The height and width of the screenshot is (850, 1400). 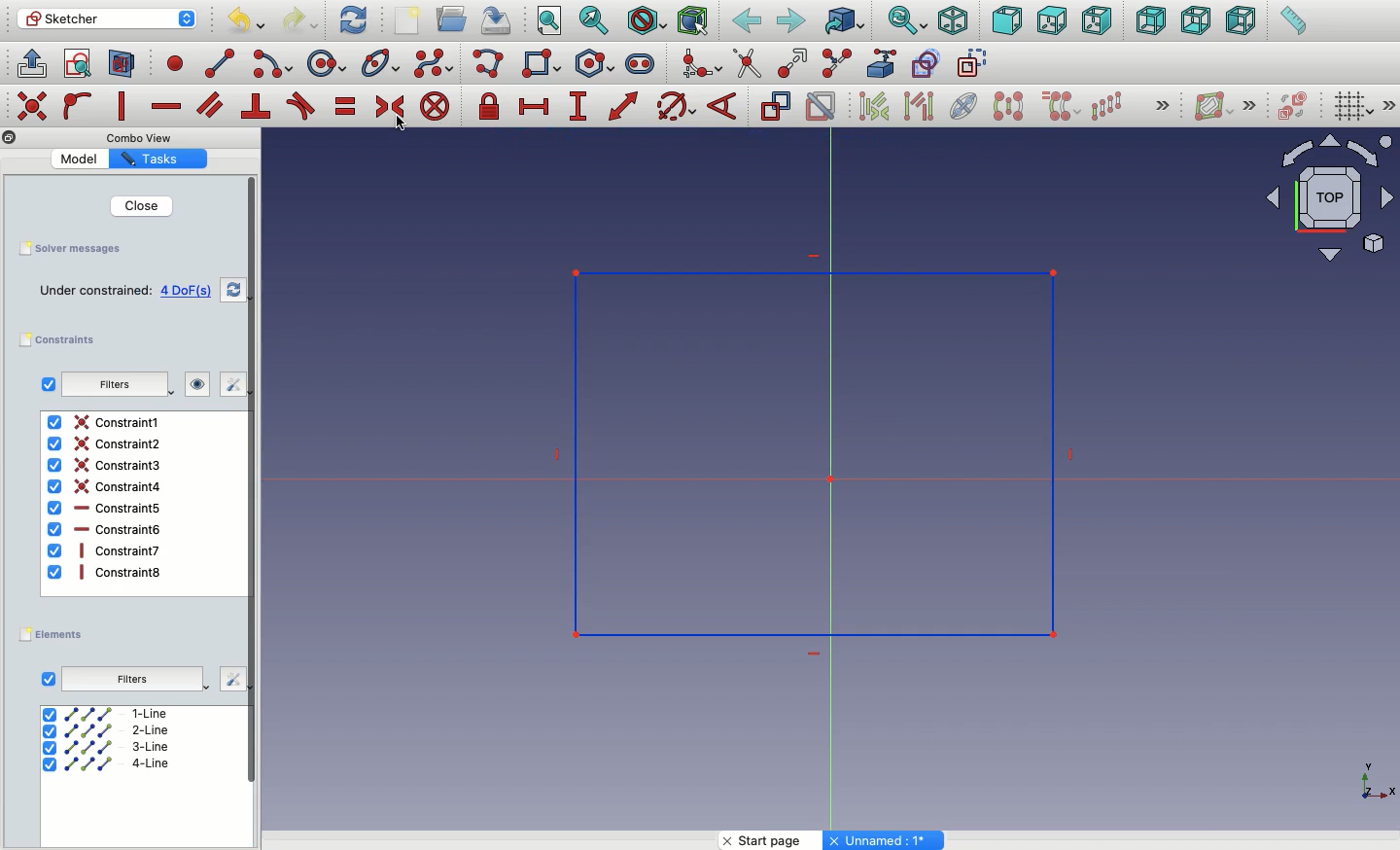 I want to click on Tasks, so click(x=155, y=159).